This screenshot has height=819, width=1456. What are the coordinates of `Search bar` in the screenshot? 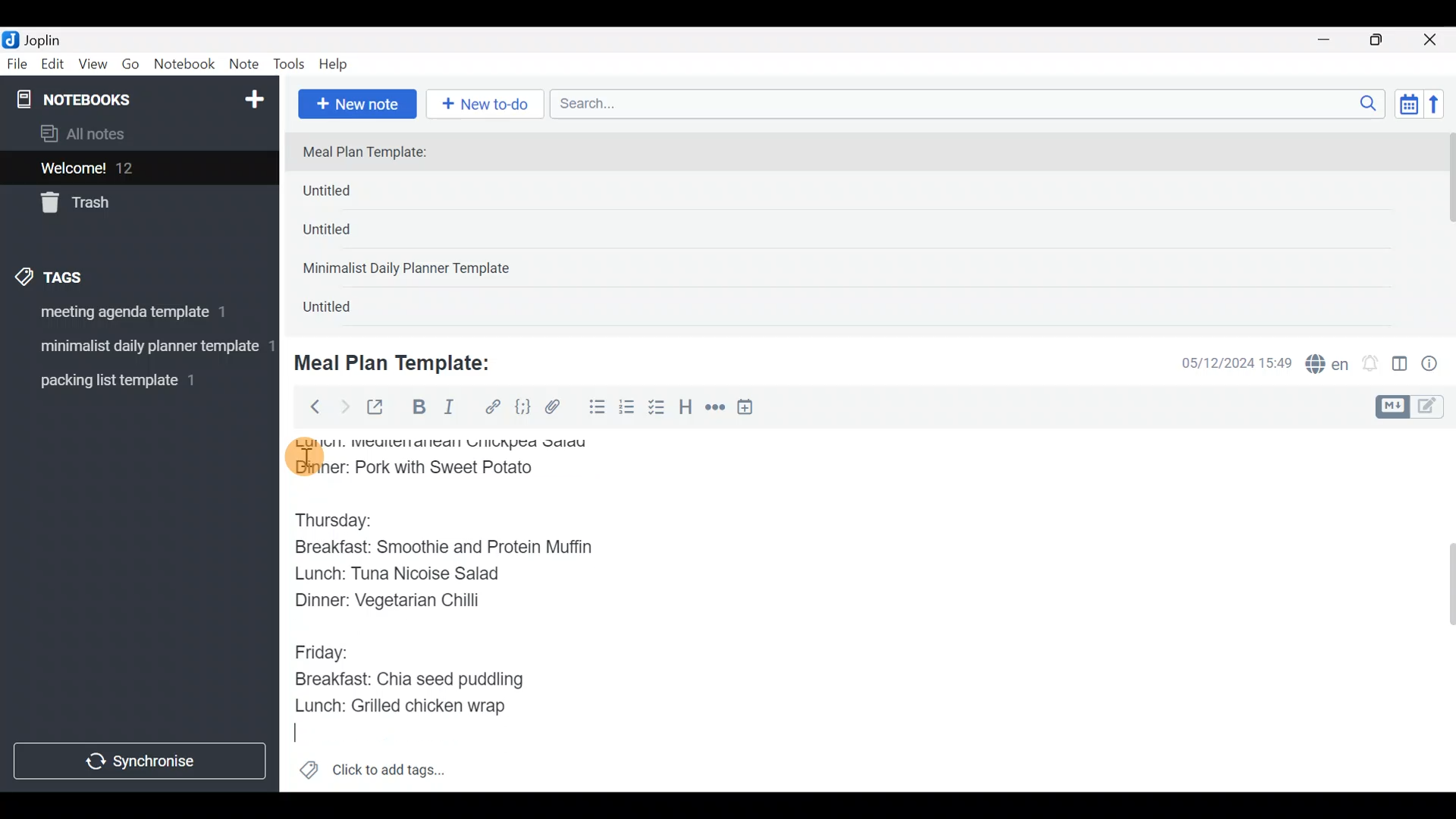 It's located at (971, 102).